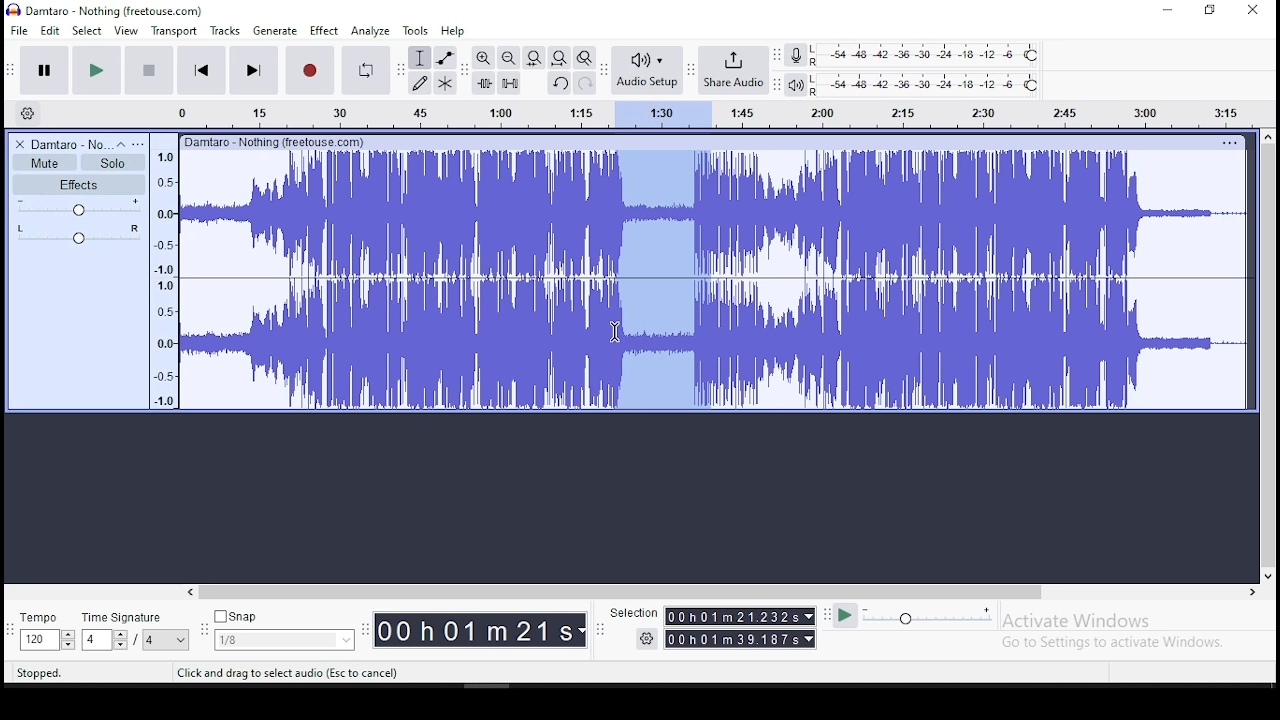 Image resolution: width=1280 pixels, height=720 pixels. What do you see at coordinates (284, 617) in the screenshot?
I see `Snap` at bounding box center [284, 617].